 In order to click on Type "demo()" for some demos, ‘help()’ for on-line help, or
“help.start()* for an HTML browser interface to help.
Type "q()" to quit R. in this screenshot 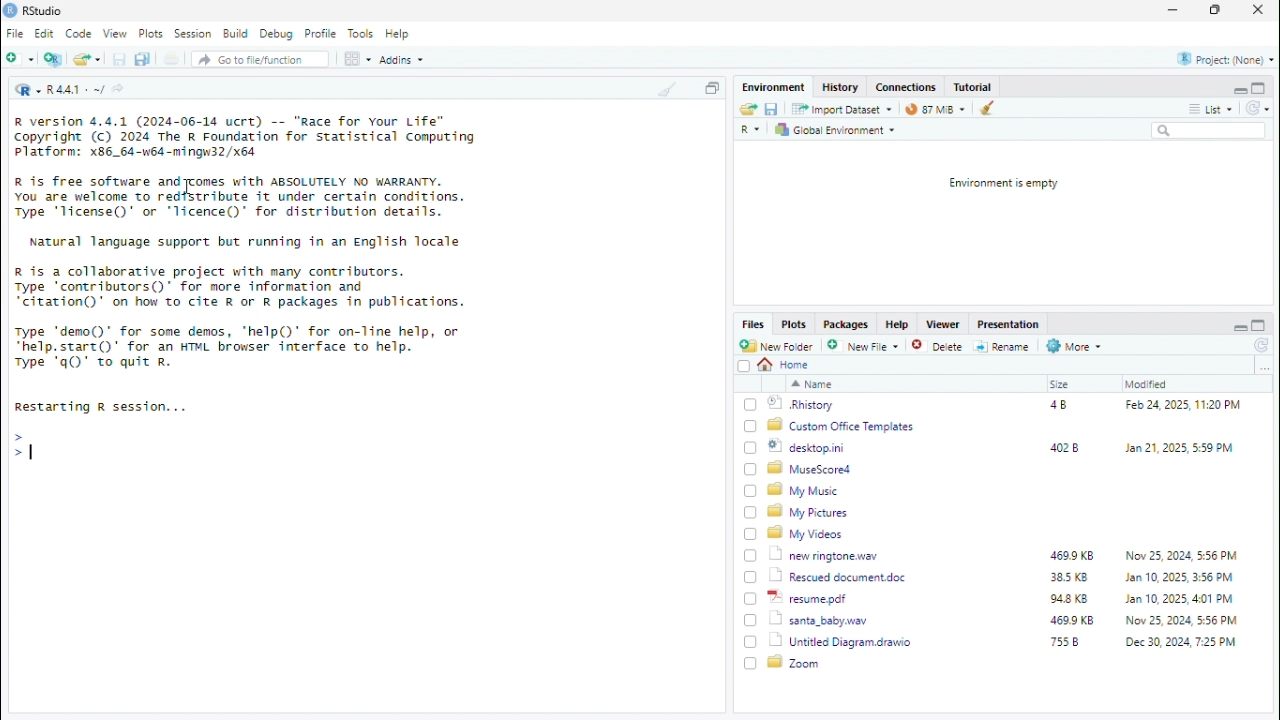, I will do `click(243, 349)`.